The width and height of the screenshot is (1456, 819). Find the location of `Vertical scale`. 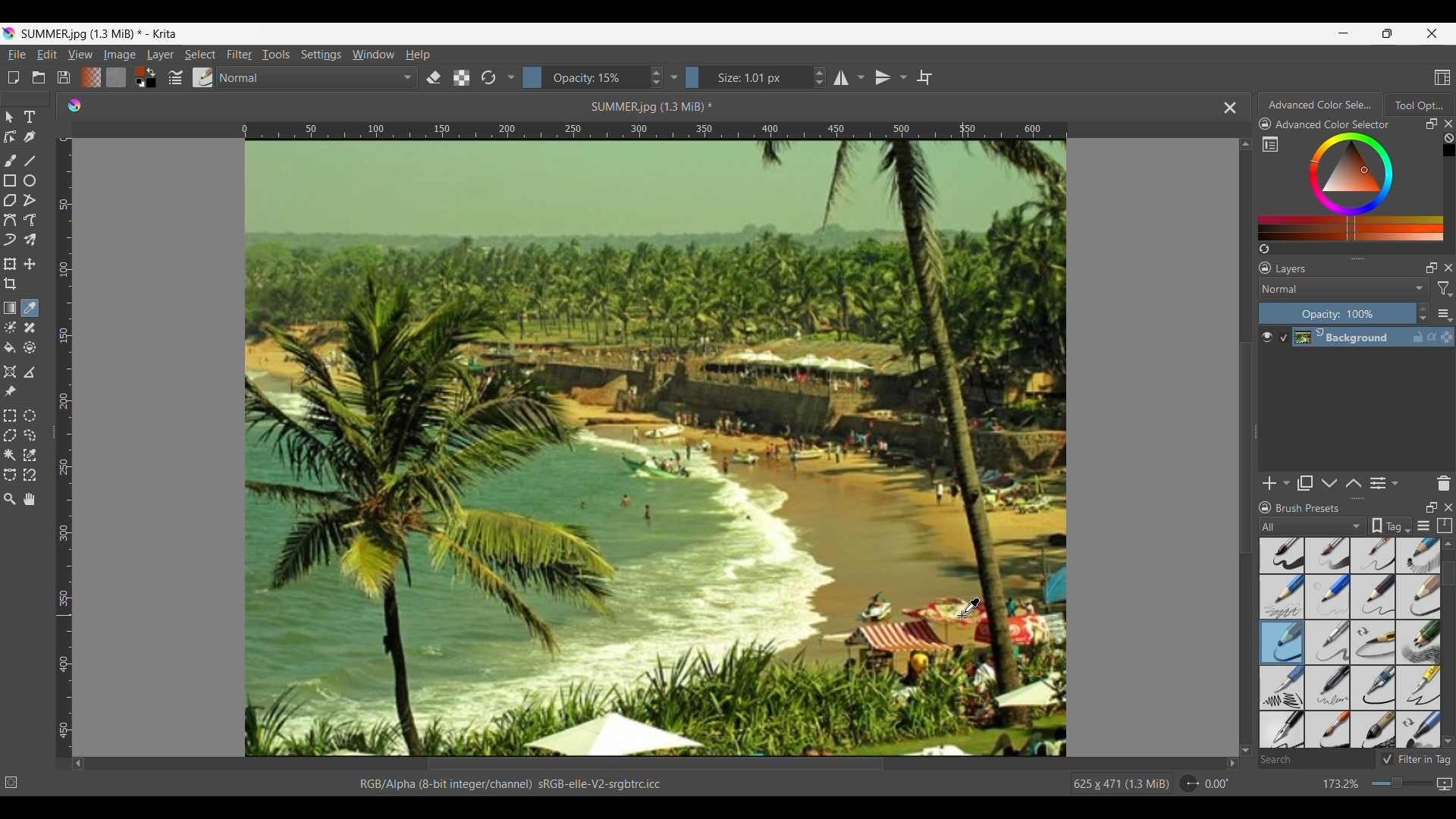

Vertical scale is located at coordinates (67, 444).